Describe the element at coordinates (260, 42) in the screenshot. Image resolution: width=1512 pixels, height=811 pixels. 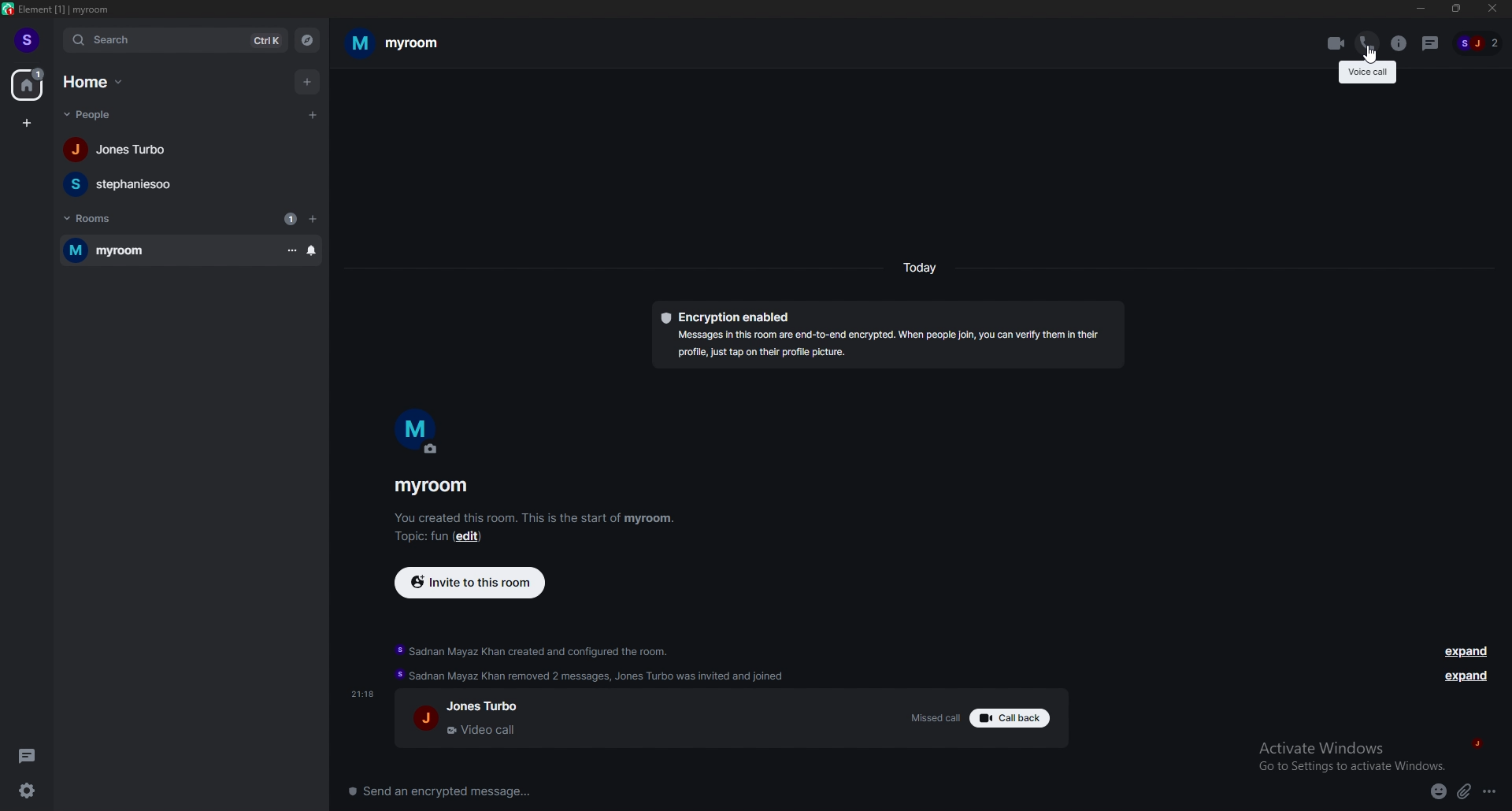
I see `ctrl k` at that location.